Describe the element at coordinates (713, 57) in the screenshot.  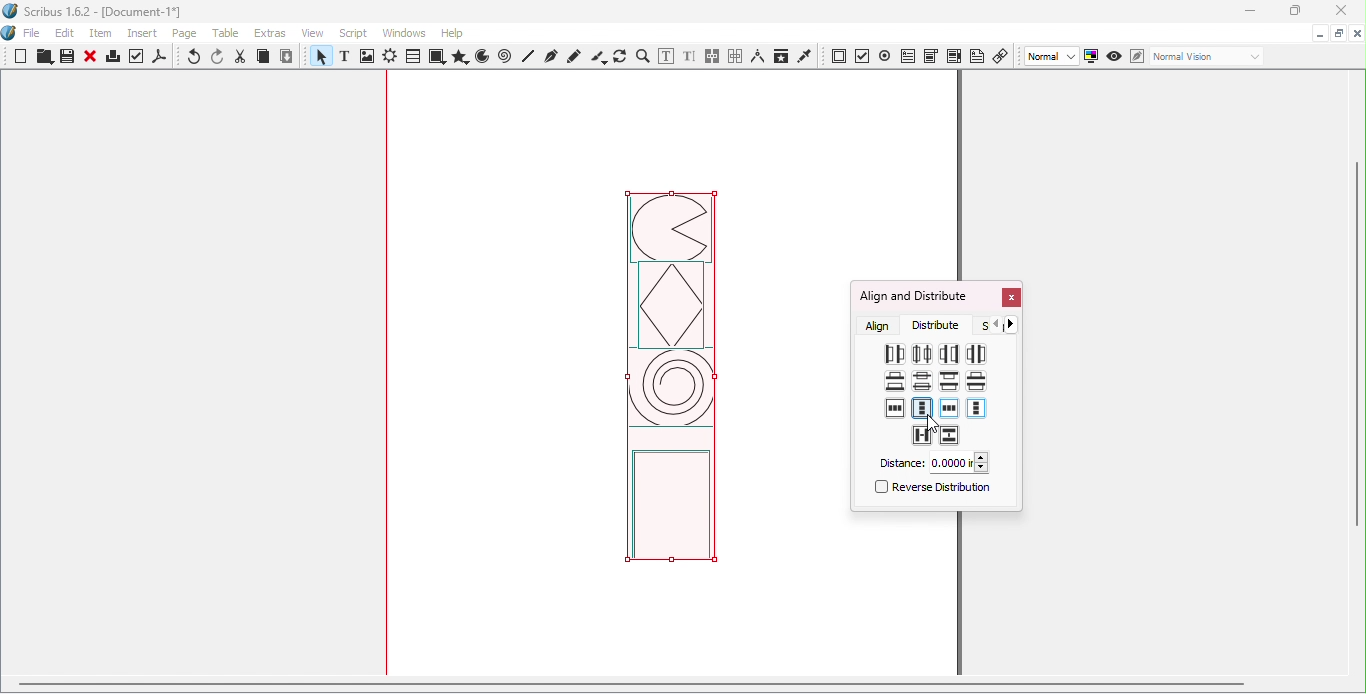
I see `Link text frames` at that location.